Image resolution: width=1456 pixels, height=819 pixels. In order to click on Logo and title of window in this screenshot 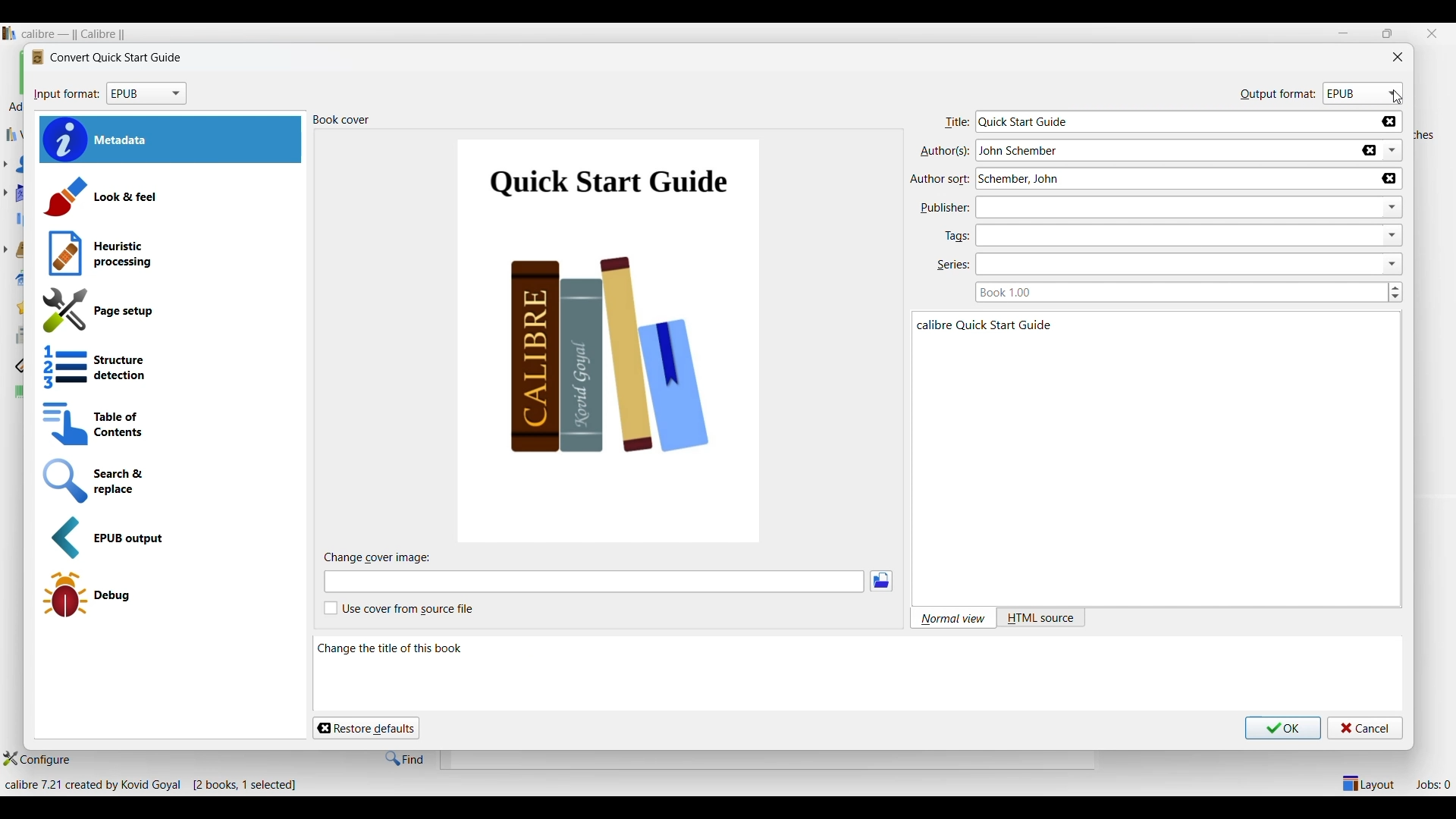, I will do `click(106, 58)`.